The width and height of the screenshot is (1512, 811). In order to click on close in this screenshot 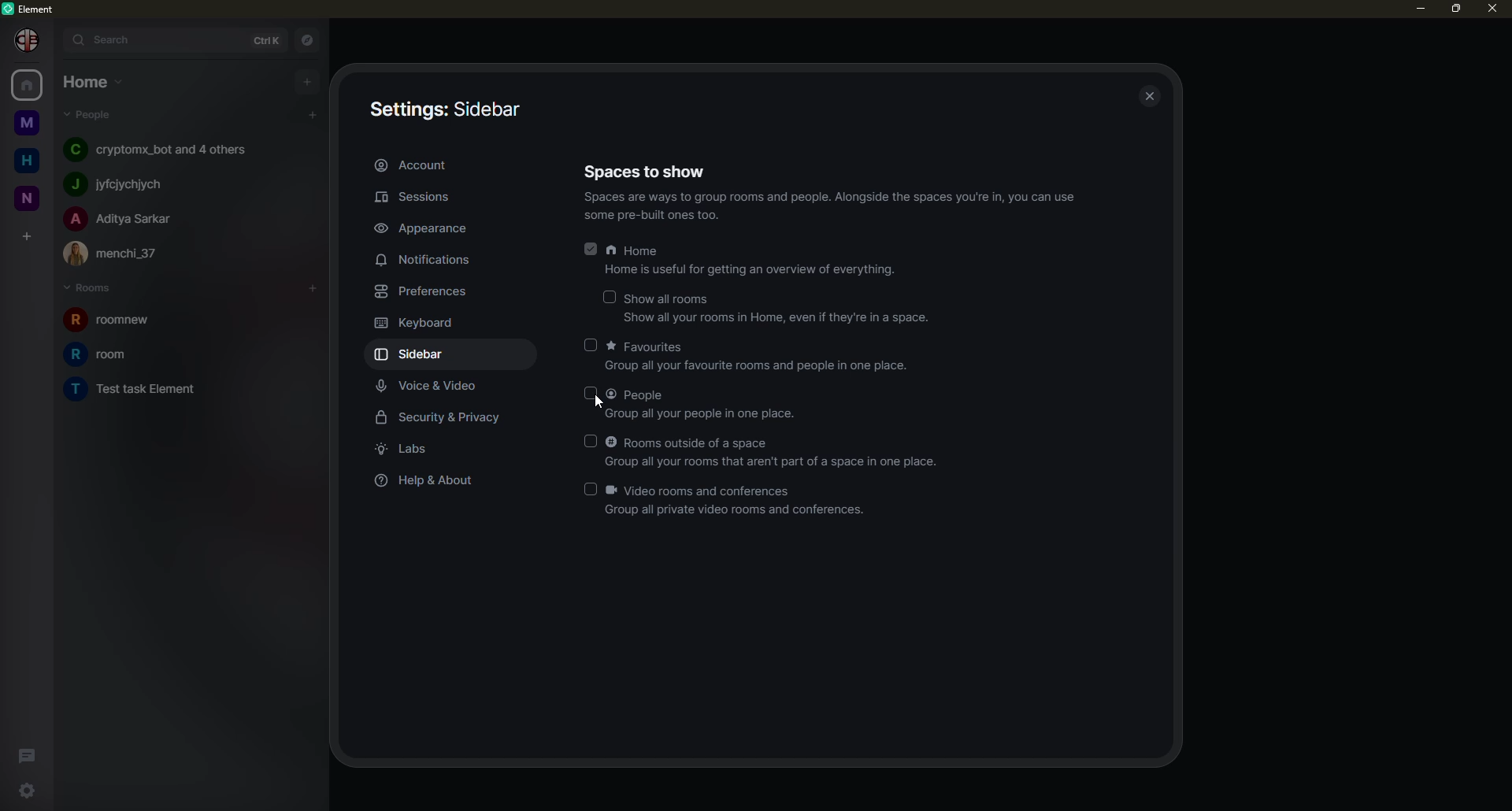, I will do `click(1492, 9)`.